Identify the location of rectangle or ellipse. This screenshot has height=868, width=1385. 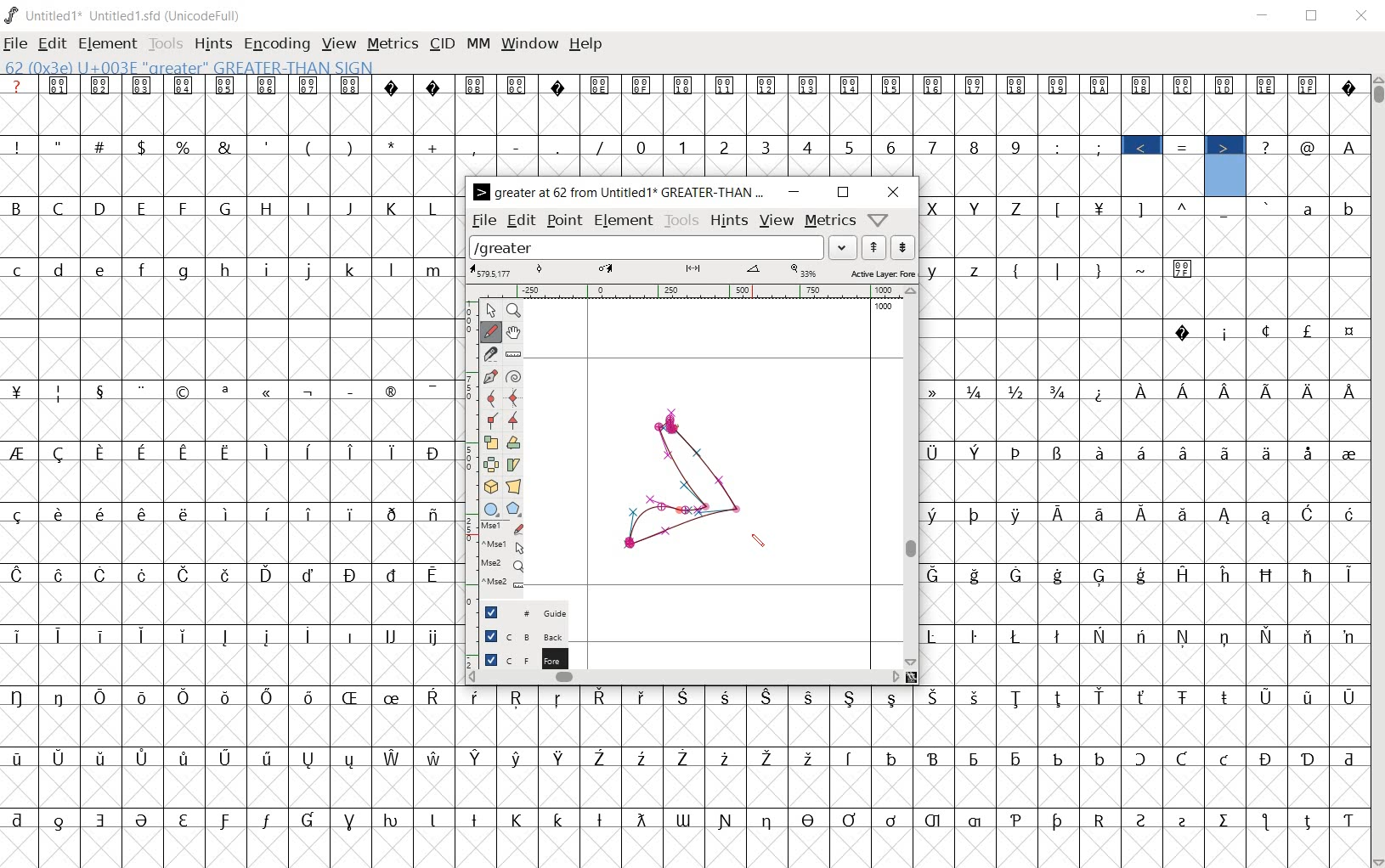
(489, 508).